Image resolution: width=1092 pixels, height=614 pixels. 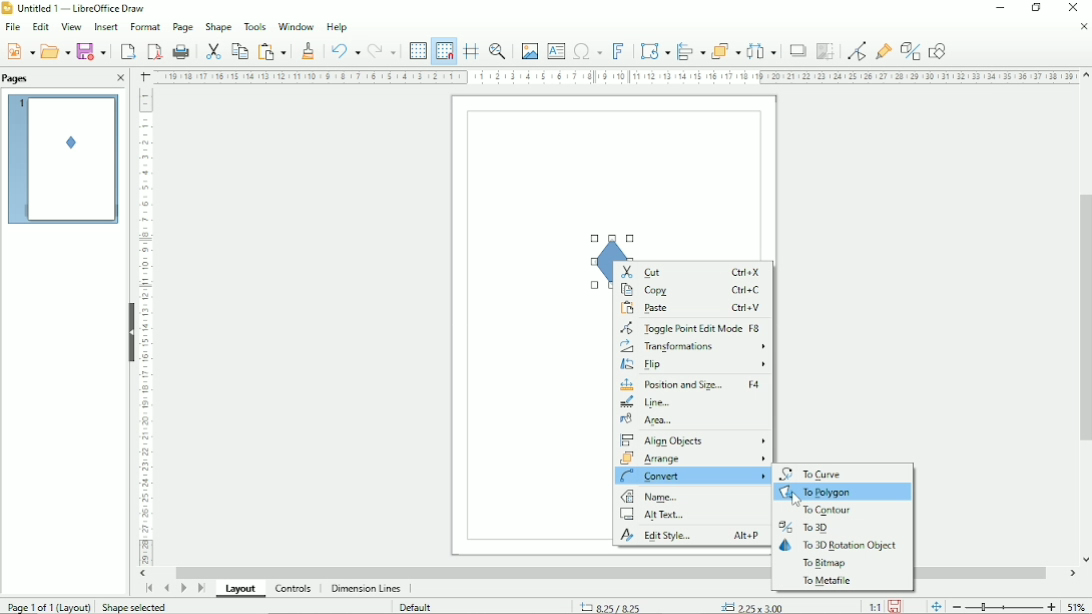 What do you see at coordinates (1037, 8) in the screenshot?
I see `Restore down` at bounding box center [1037, 8].